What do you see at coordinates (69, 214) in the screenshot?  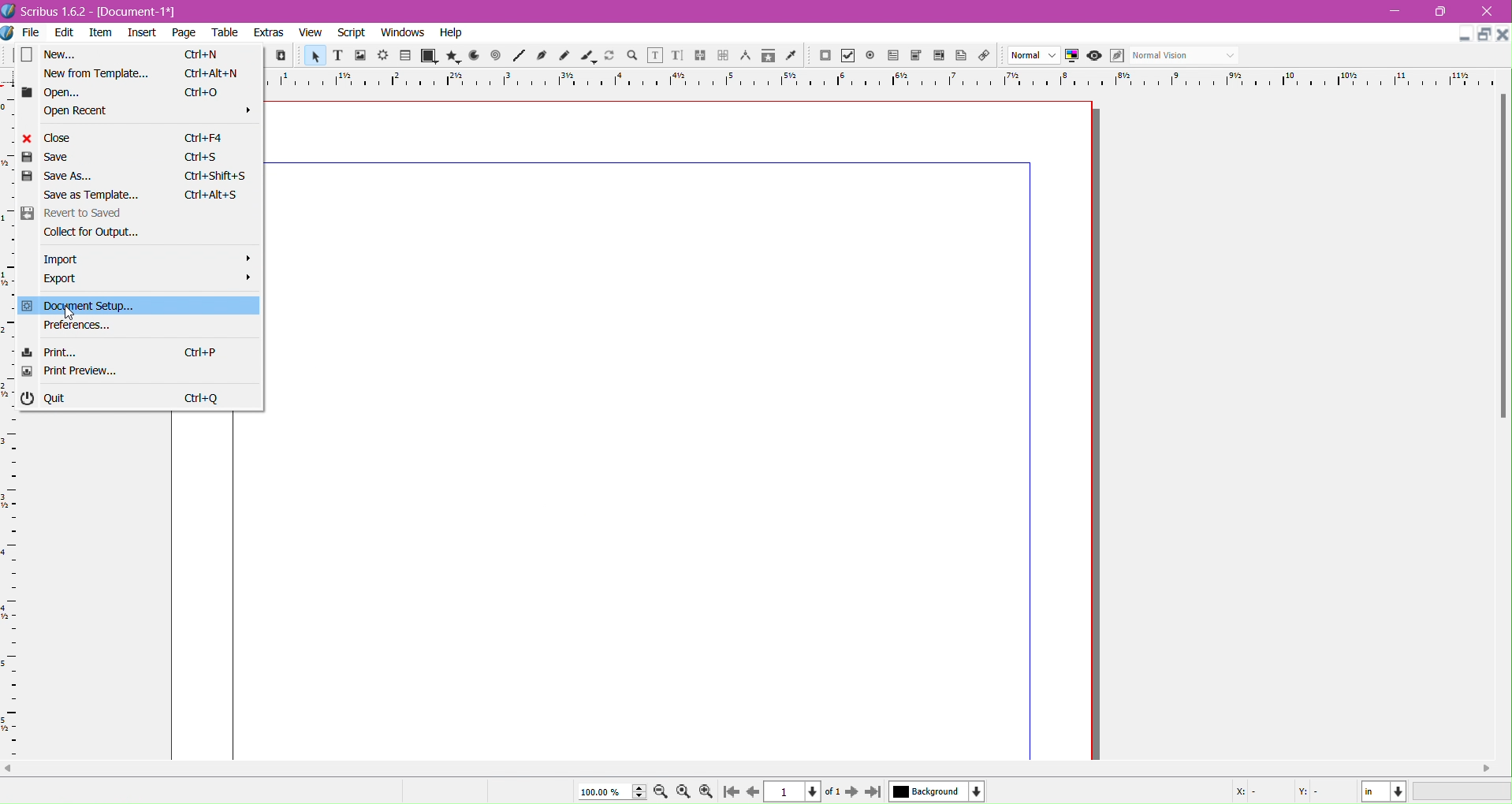 I see `revert to saved` at bounding box center [69, 214].